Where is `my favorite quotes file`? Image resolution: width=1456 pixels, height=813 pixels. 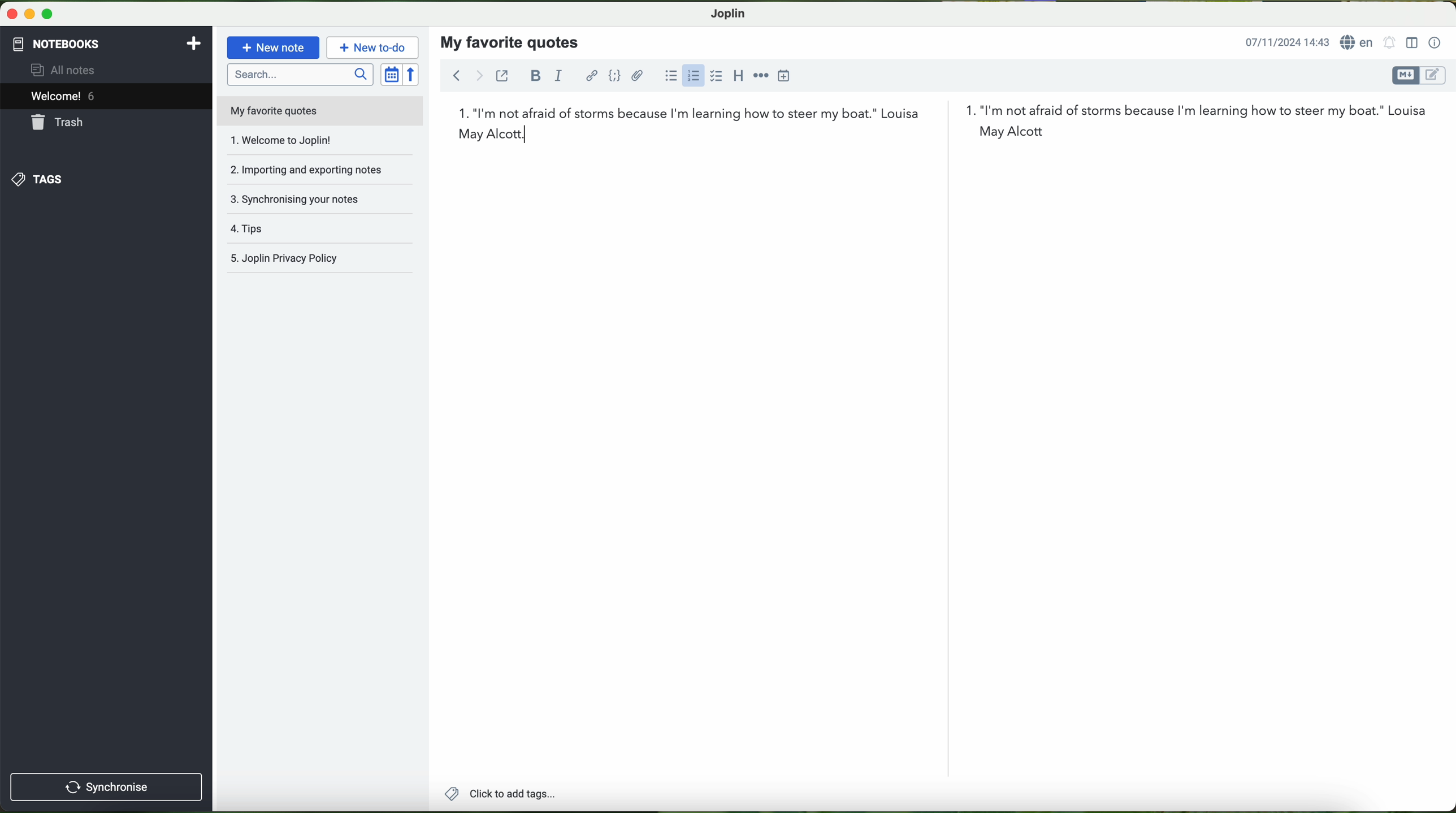 my favorite quotes file is located at coordinates (276, 111).